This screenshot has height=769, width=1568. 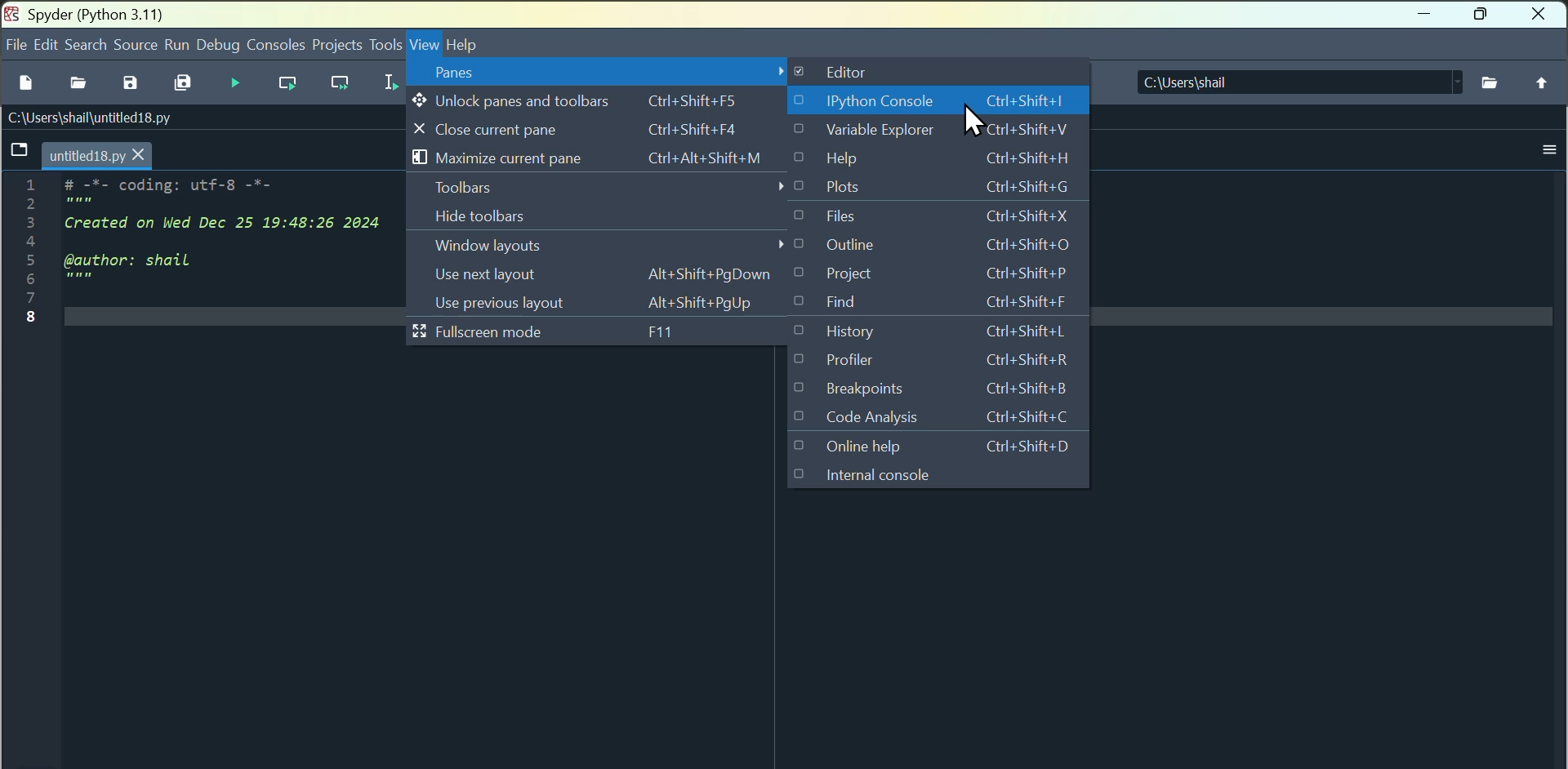 I want to click on Penes, so click(x=596, y=71).